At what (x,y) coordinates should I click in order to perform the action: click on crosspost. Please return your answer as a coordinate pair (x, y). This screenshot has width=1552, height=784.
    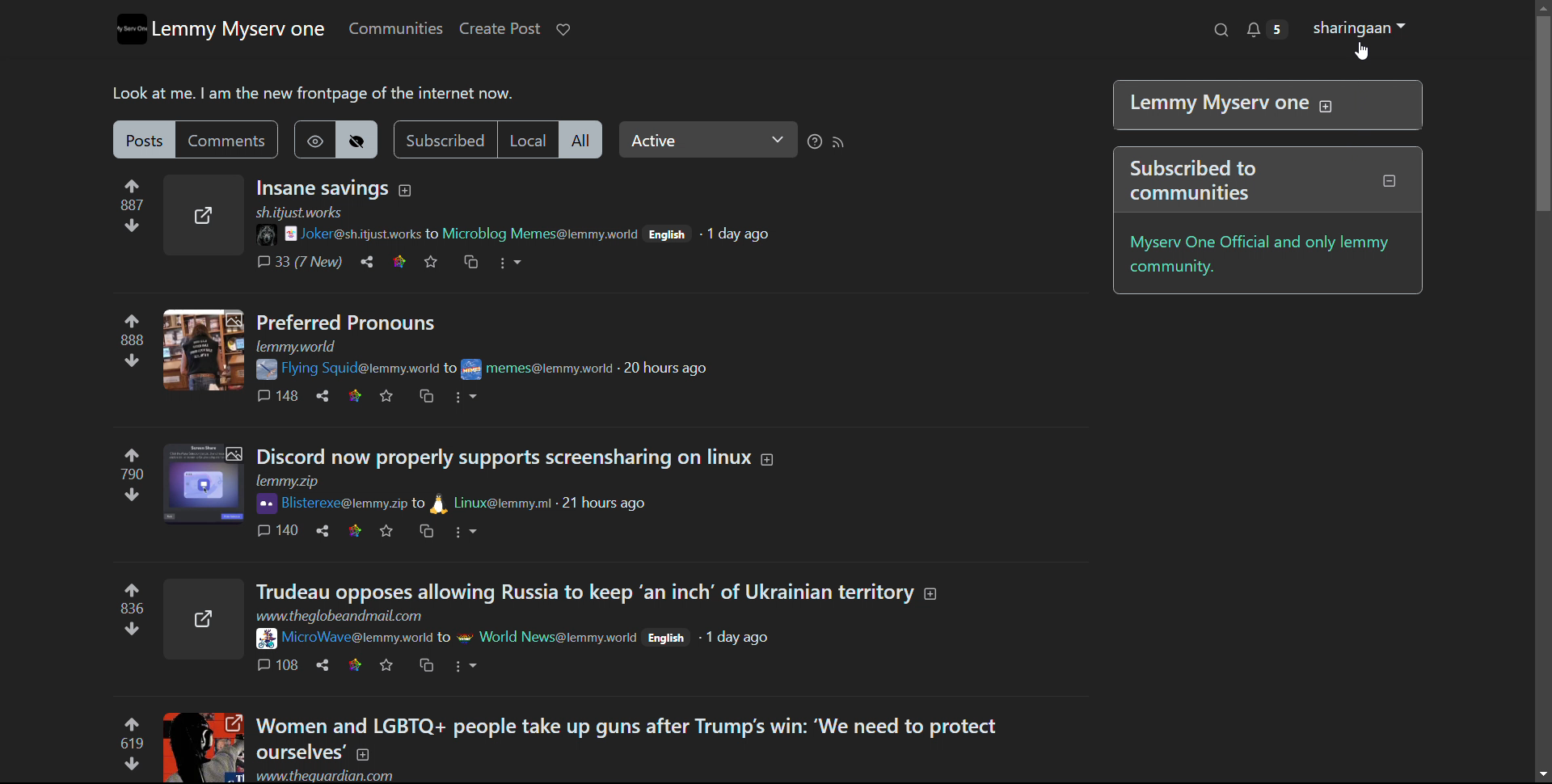
    Looking at the image, I should click on (425, 665).